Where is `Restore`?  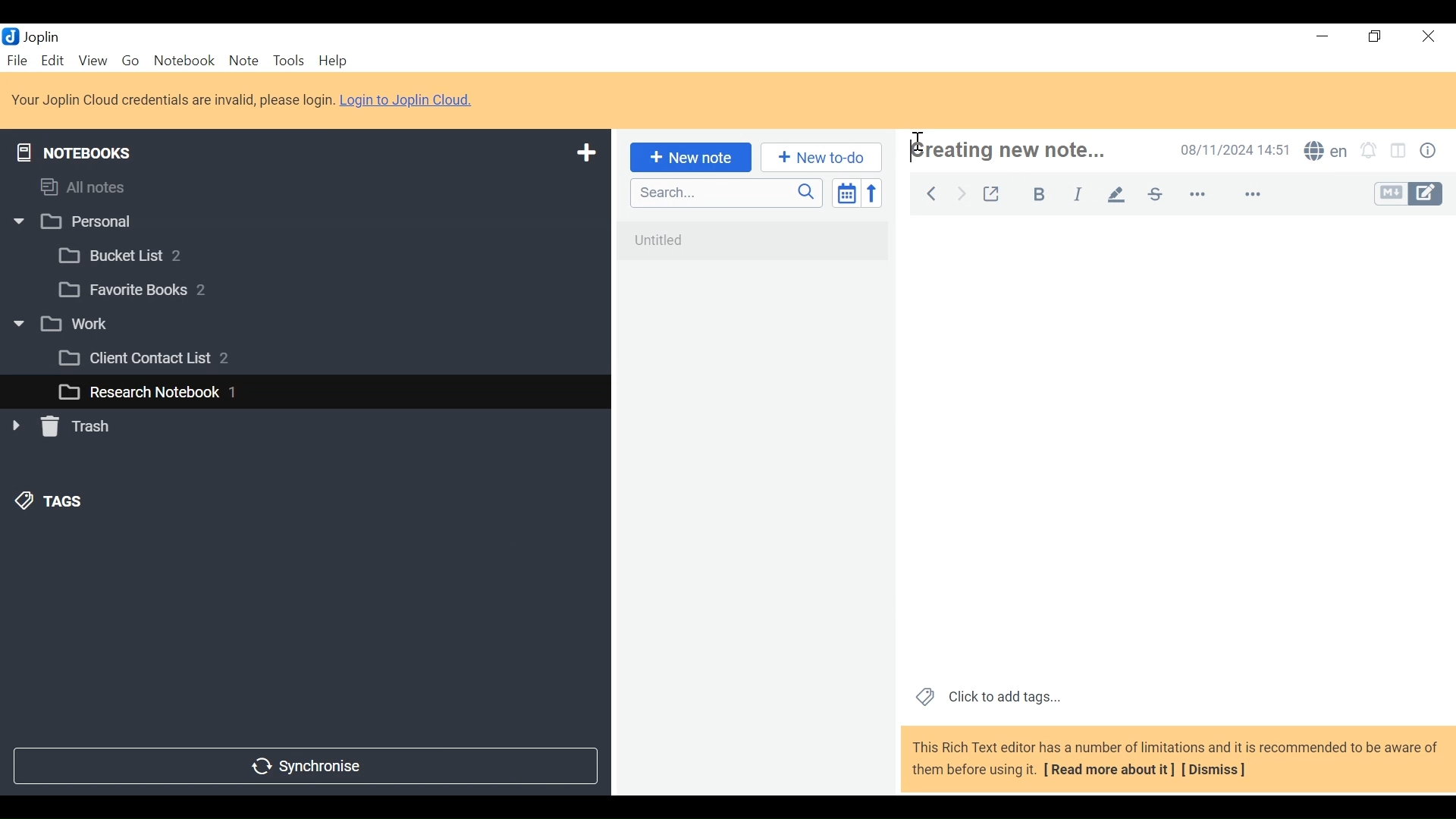
Restore is located at coordinates (1376, 37).